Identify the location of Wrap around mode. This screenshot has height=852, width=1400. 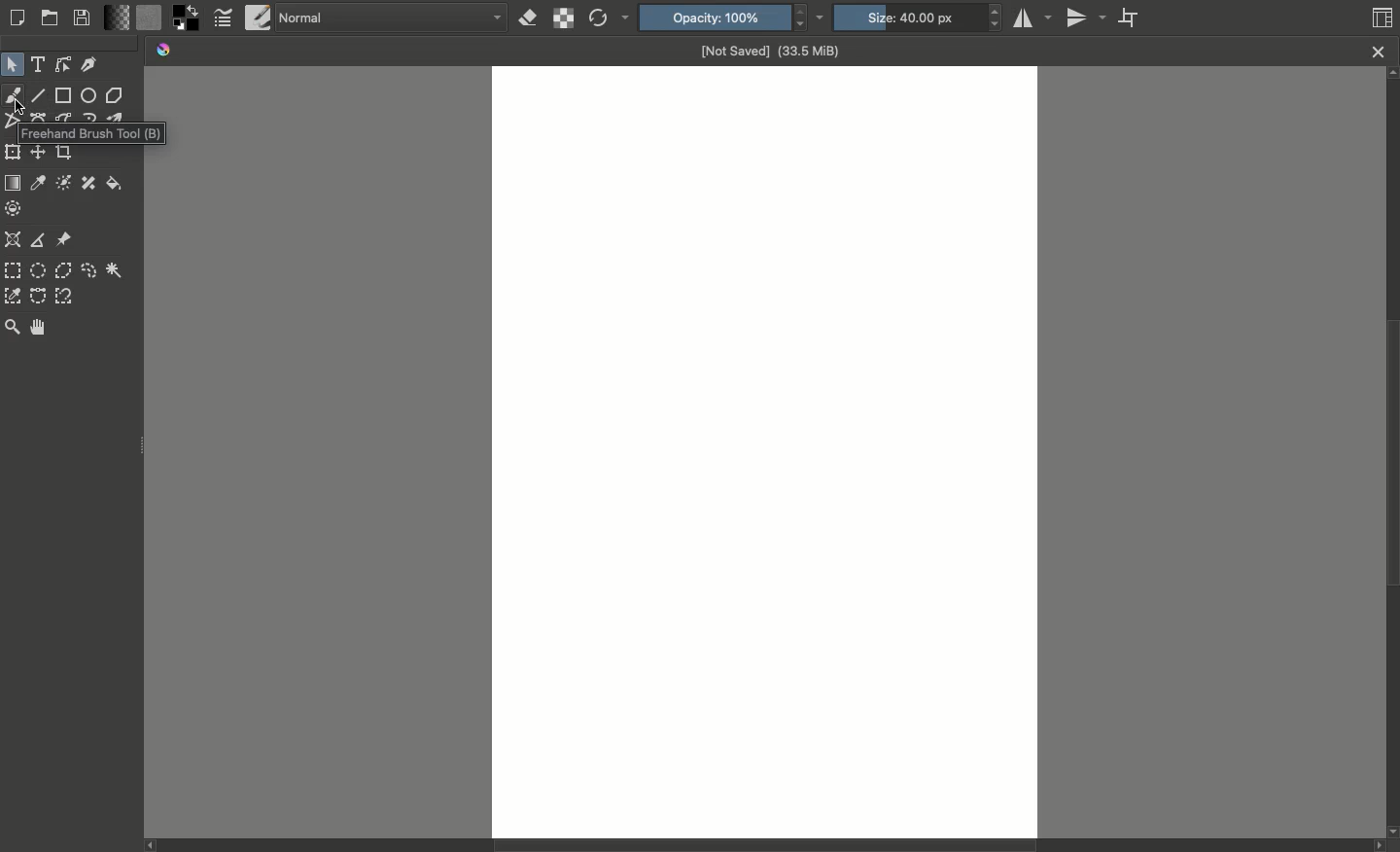
(1134, 19).